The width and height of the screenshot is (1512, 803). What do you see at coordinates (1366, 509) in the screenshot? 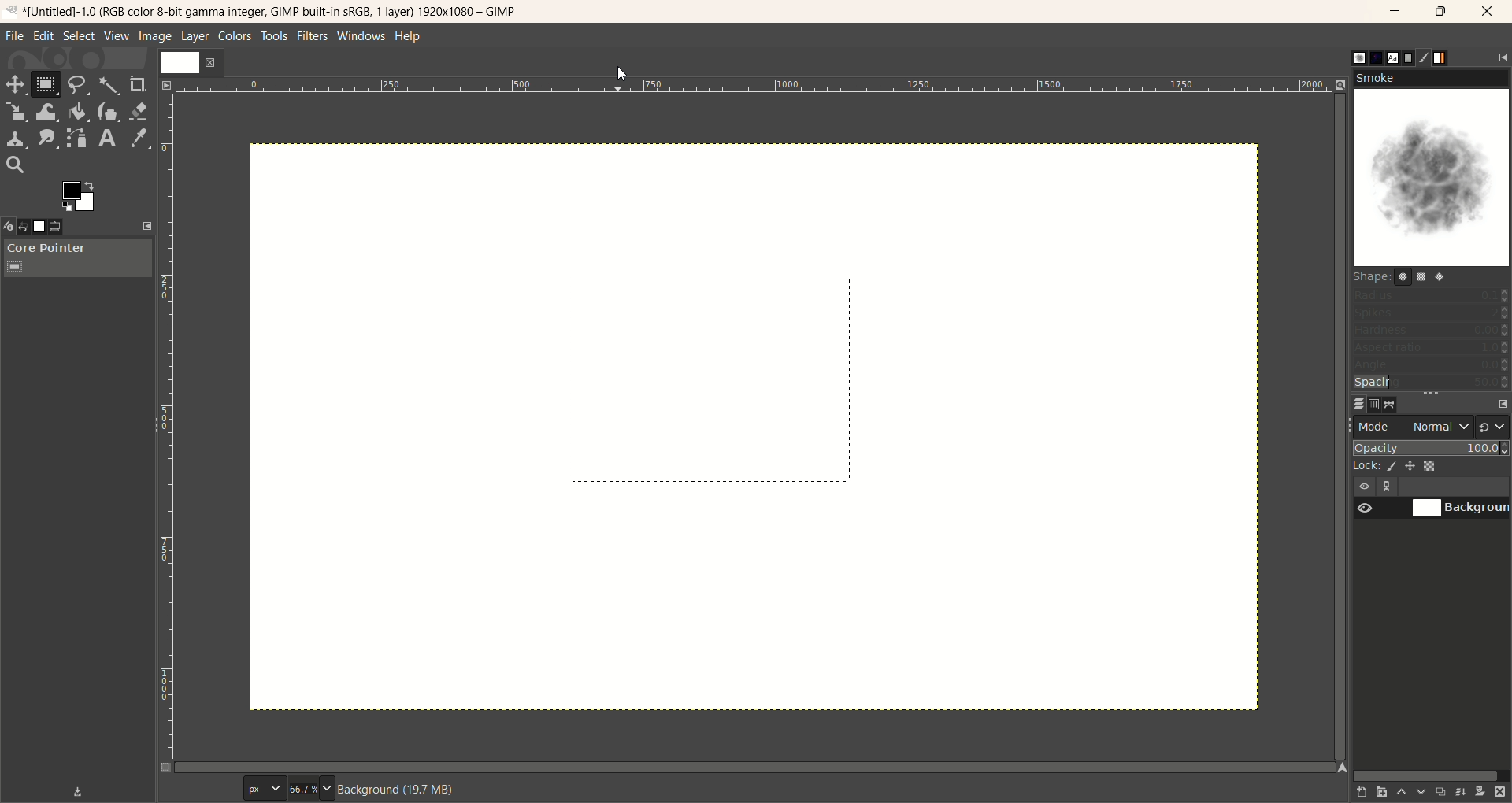
I see `visibility` at bounding box center [1366, 509].